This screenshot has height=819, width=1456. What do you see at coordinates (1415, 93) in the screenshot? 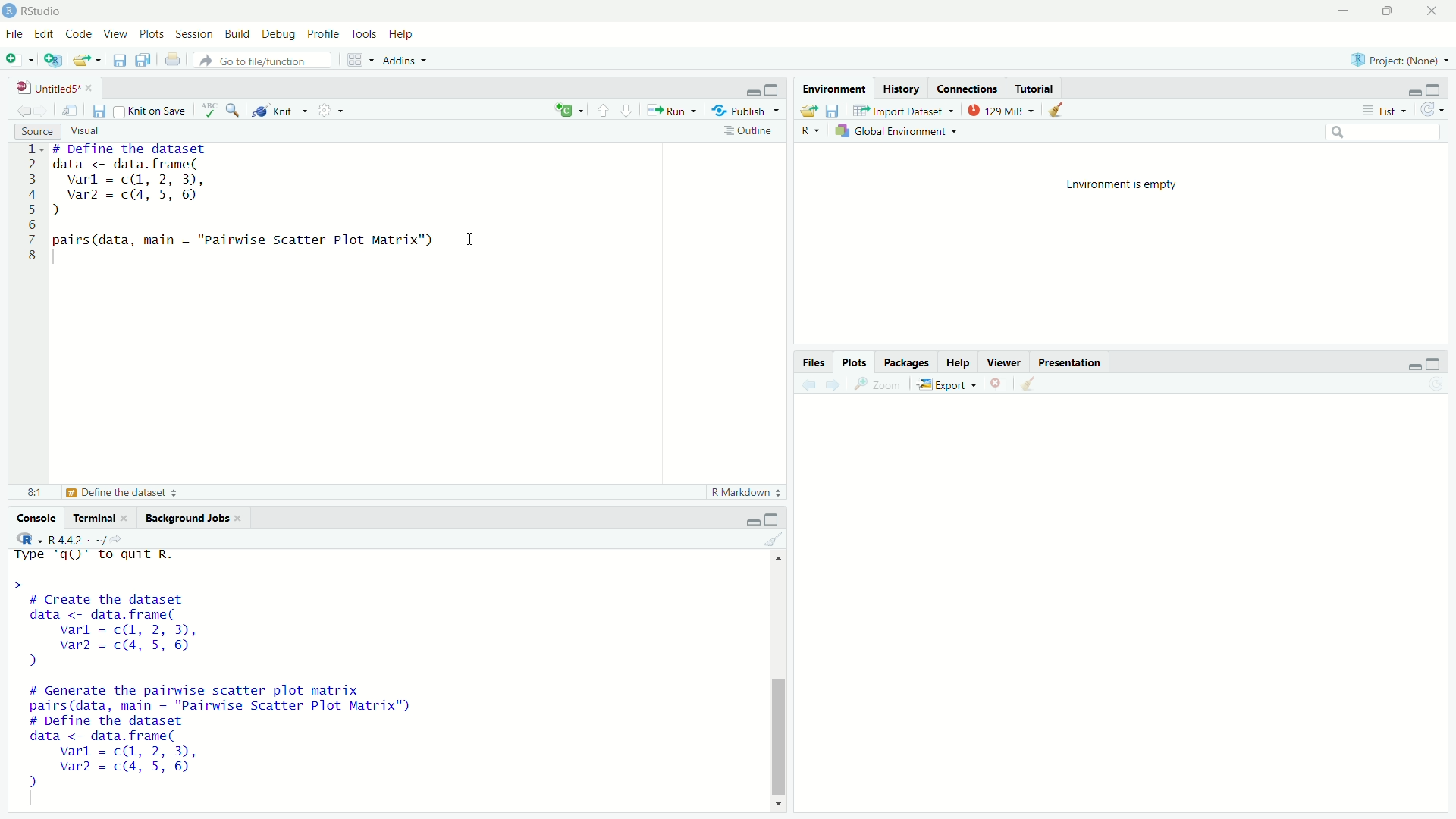
I see `Minimize` at bounding box center [1415, 93].